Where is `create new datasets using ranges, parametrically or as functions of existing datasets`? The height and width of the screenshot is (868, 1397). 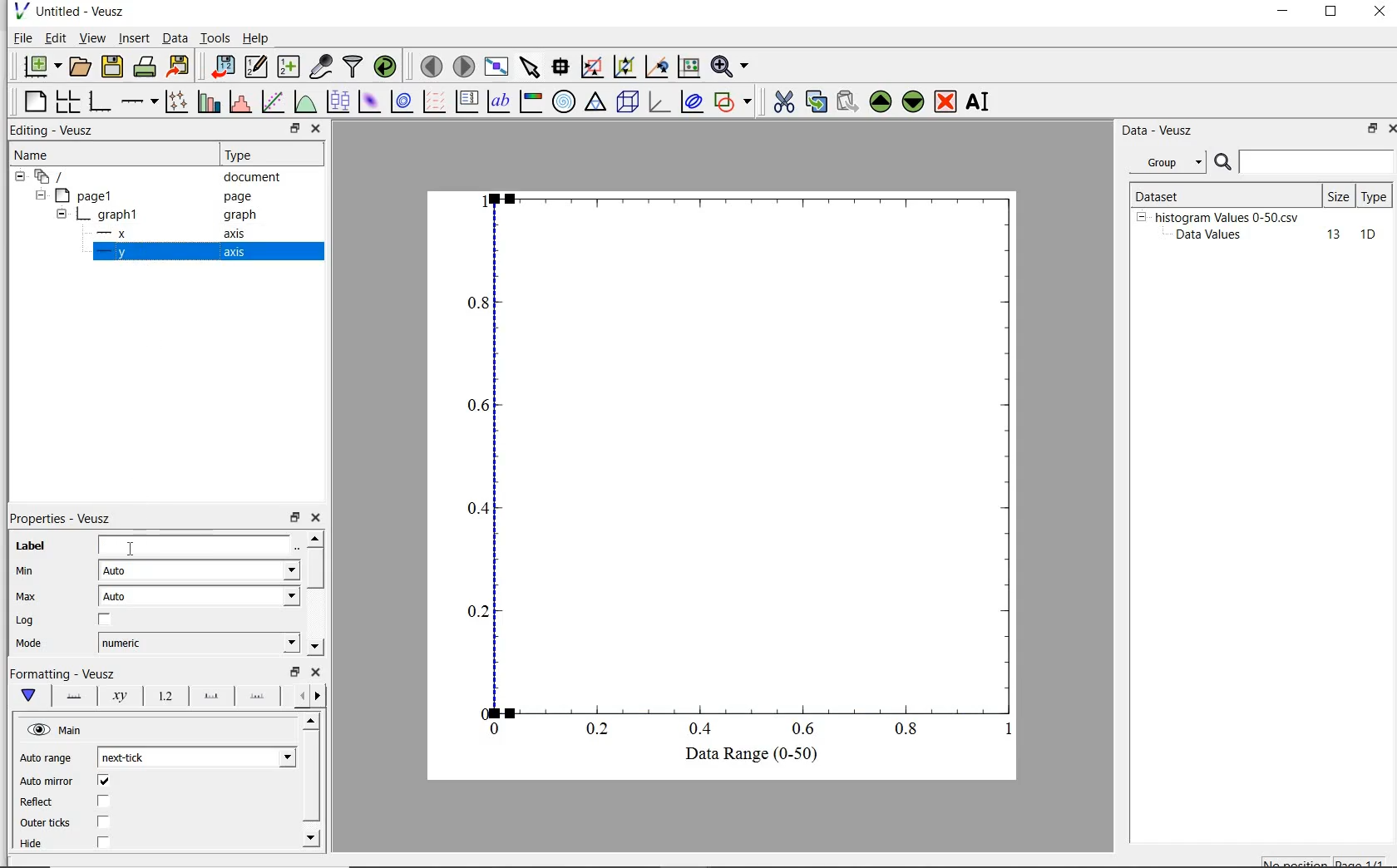 create new datasets using ranges, parametrically or as functions of existing datasets is located at coordinates (291, 65).